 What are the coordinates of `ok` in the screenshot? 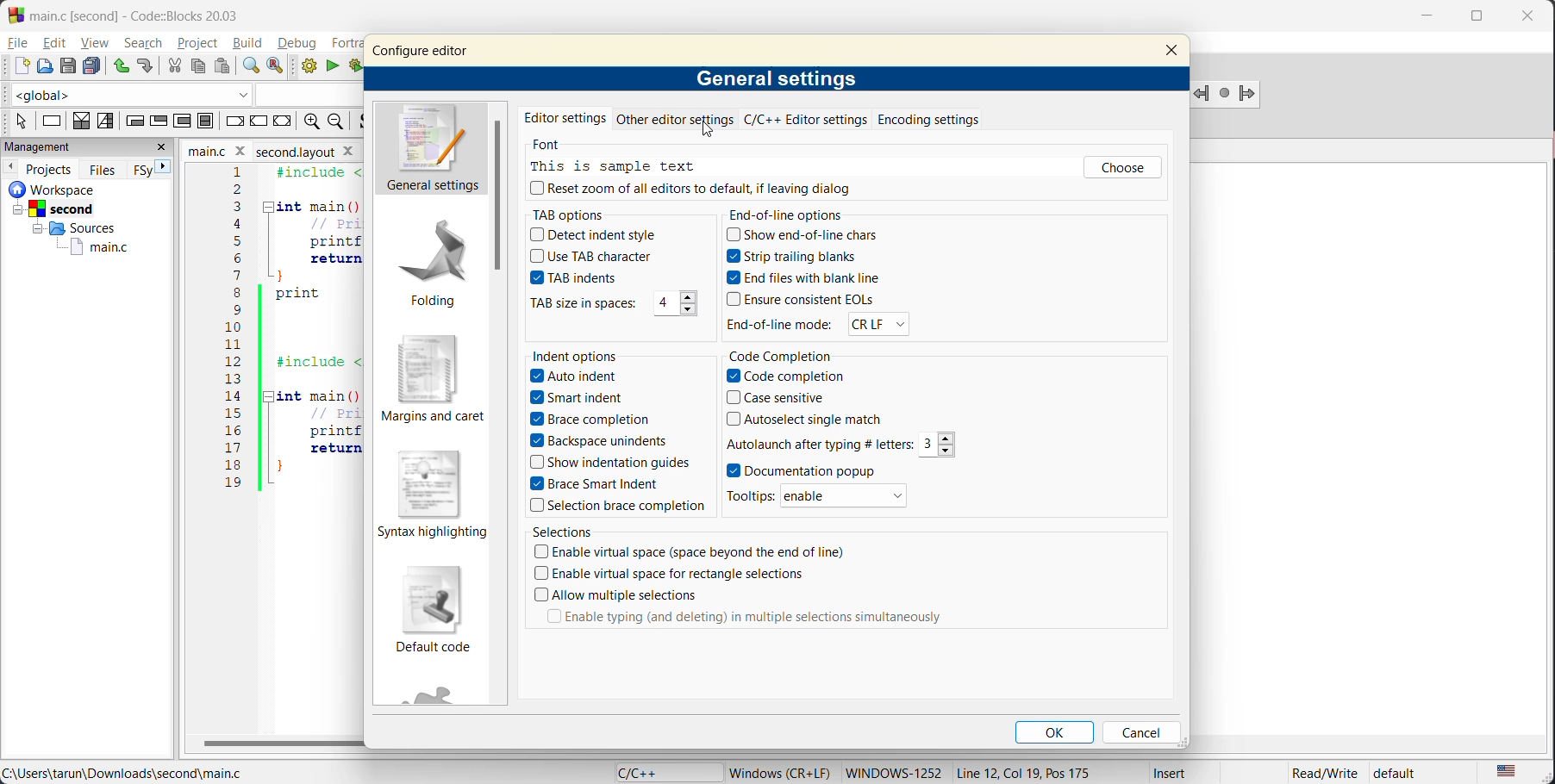 It's located at (1057, 731).